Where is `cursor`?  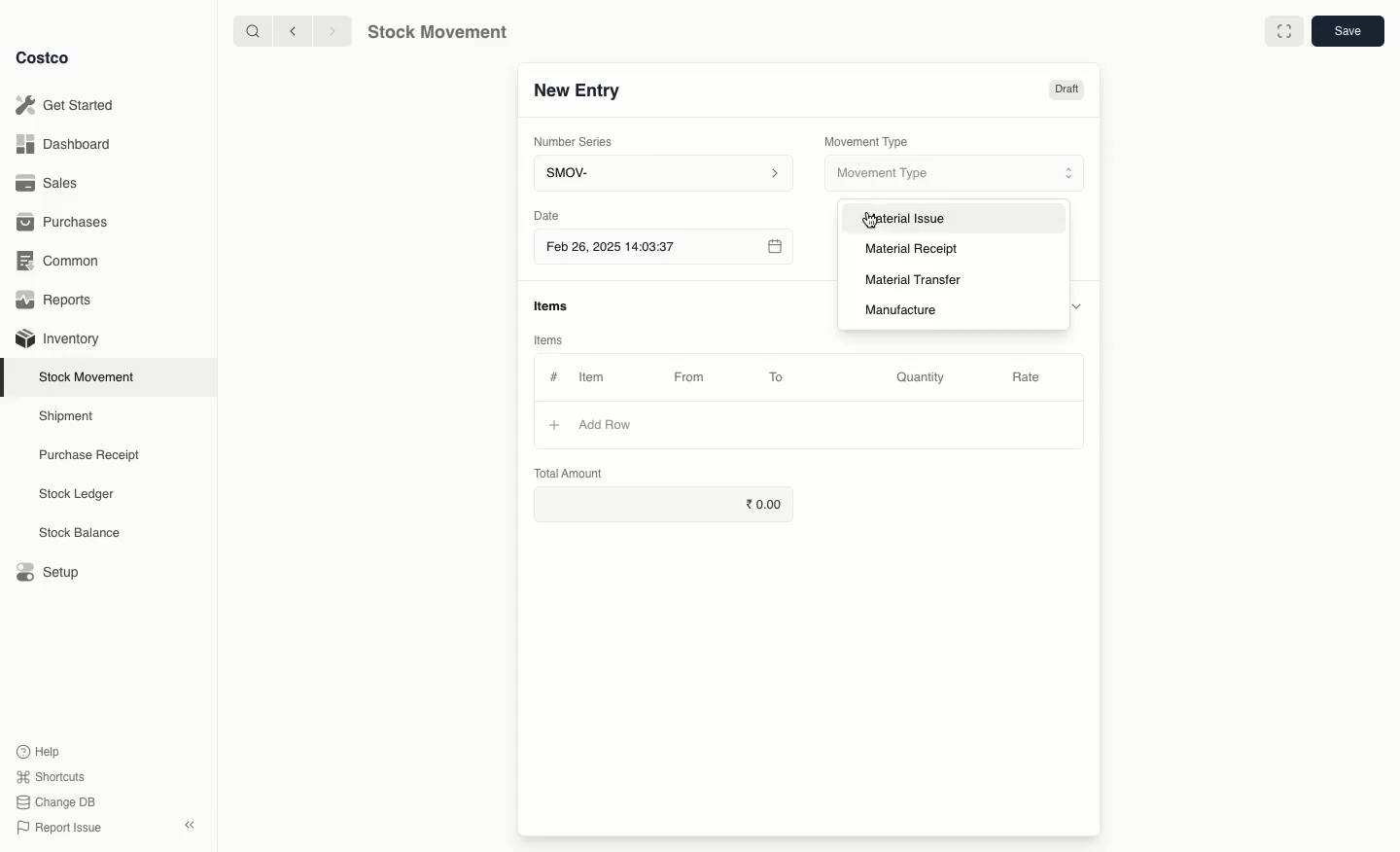 cursor is located at coordinates (870, 223).